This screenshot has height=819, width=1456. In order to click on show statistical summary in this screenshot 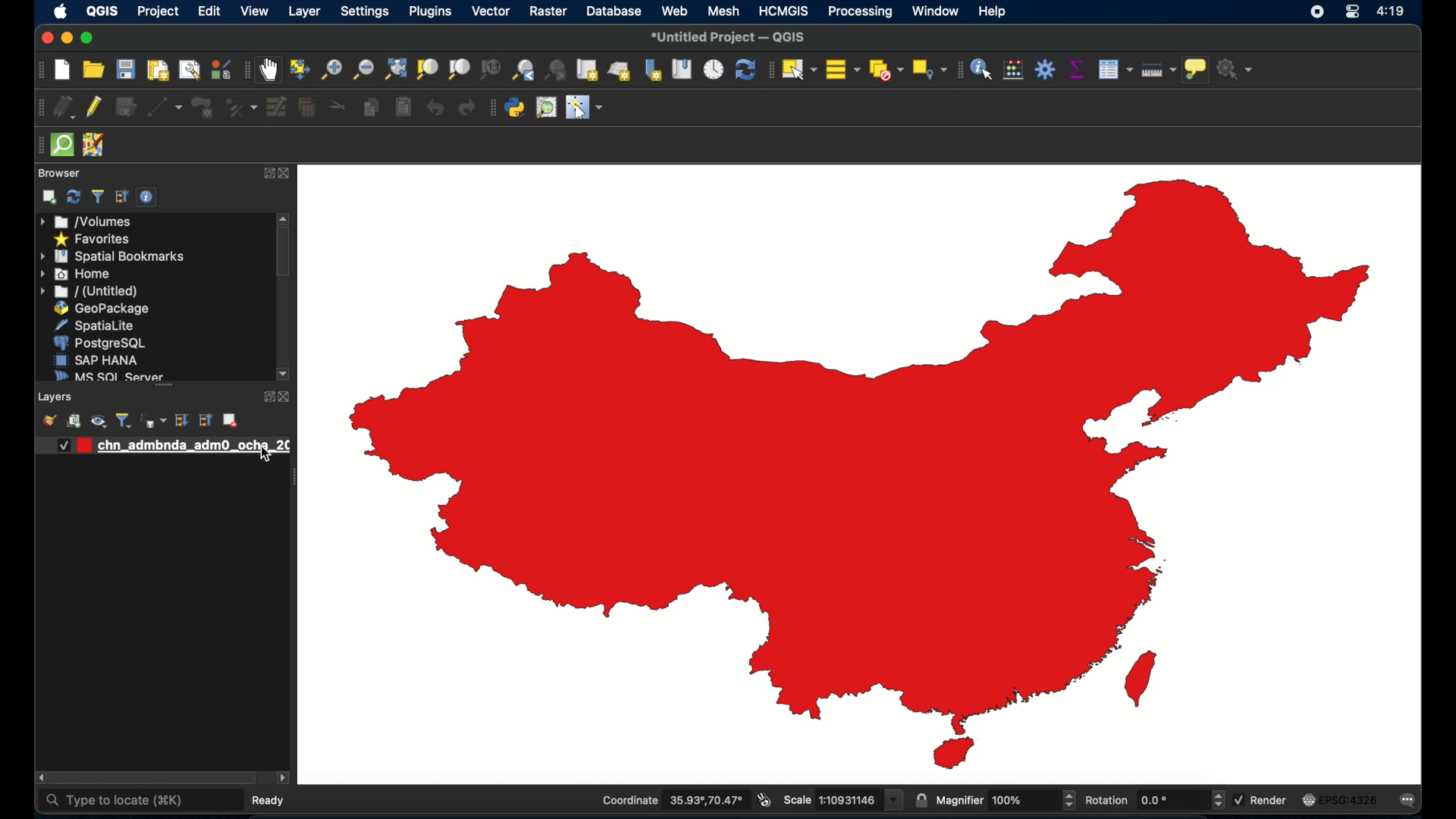, I will do `click(1076, 71)`.